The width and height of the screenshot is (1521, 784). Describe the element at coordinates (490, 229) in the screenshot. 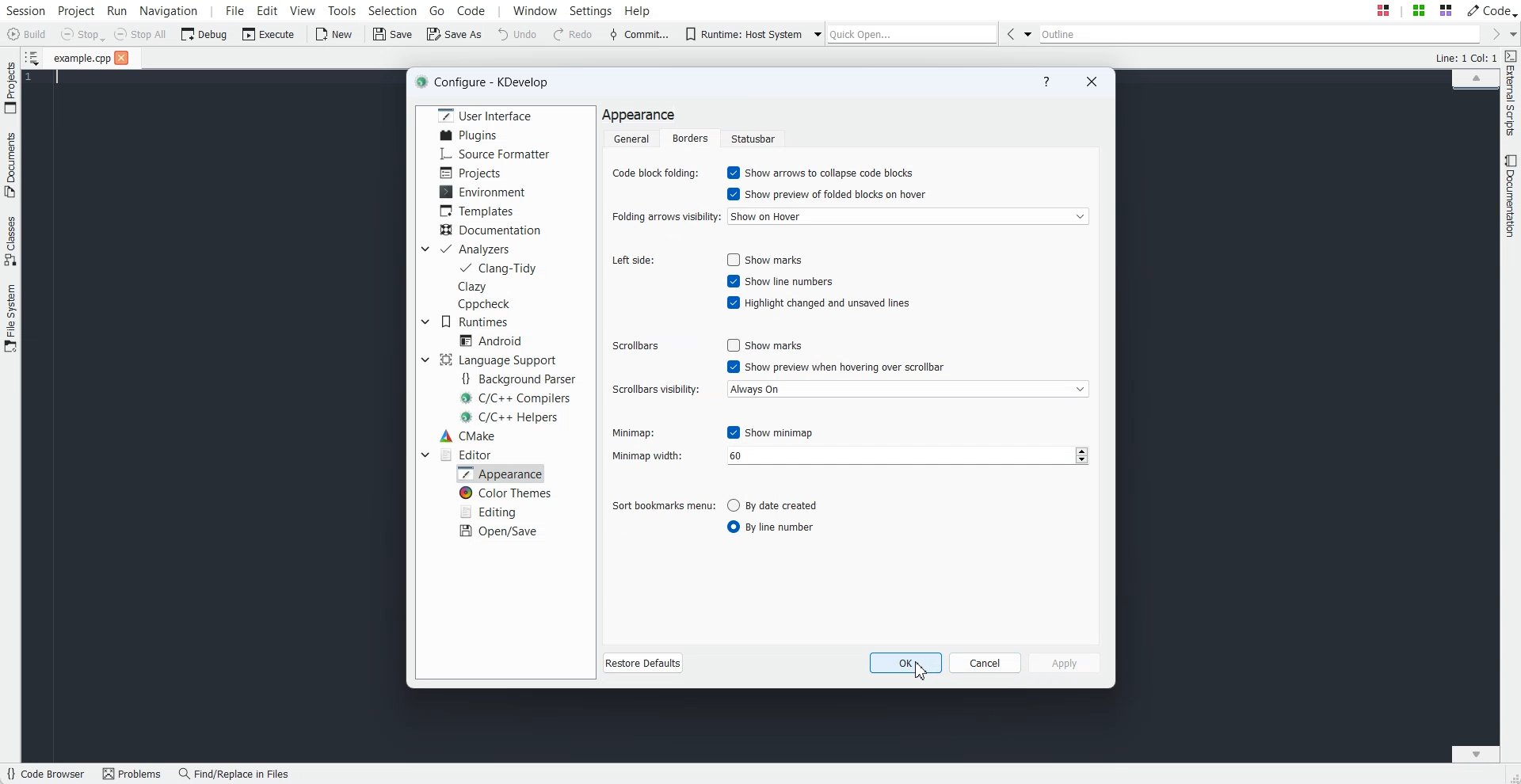

I see `Documentation` at that location.